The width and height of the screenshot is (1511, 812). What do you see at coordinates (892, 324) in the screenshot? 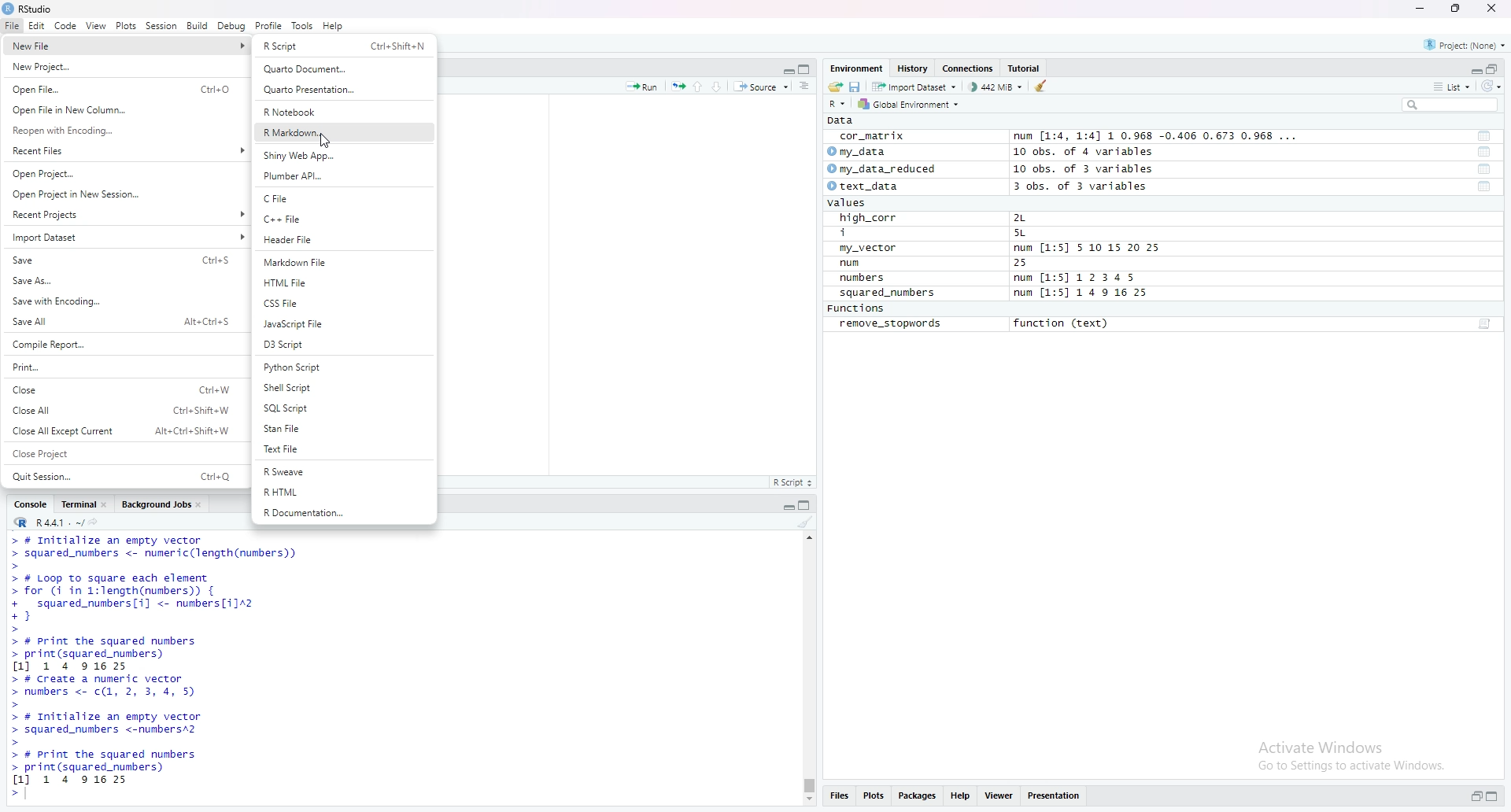
I see `remove_stopwords` at bounding box center [892, 324].